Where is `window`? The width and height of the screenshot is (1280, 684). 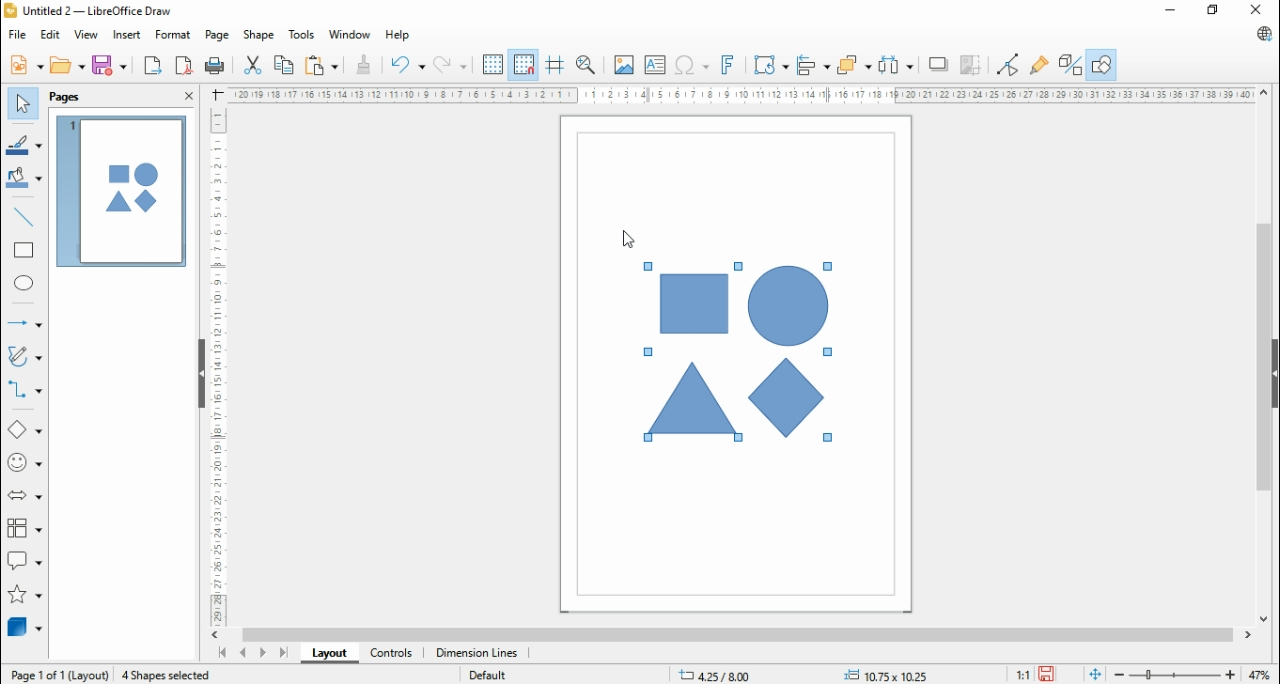
window is located at coordinates (351, 34).